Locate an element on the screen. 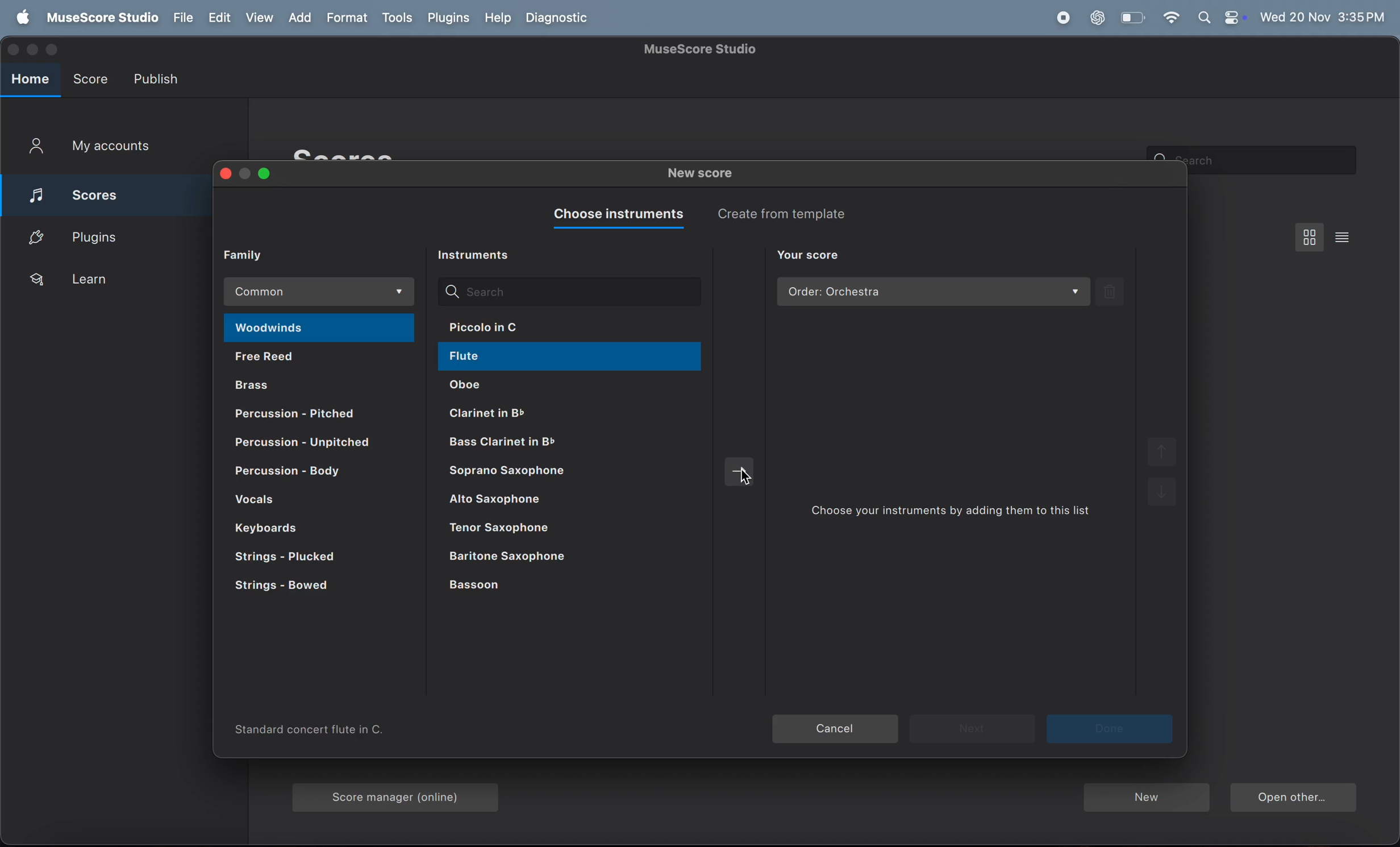 This screenshot has width=1400, height=847. family is located at coordinates (252, 254).